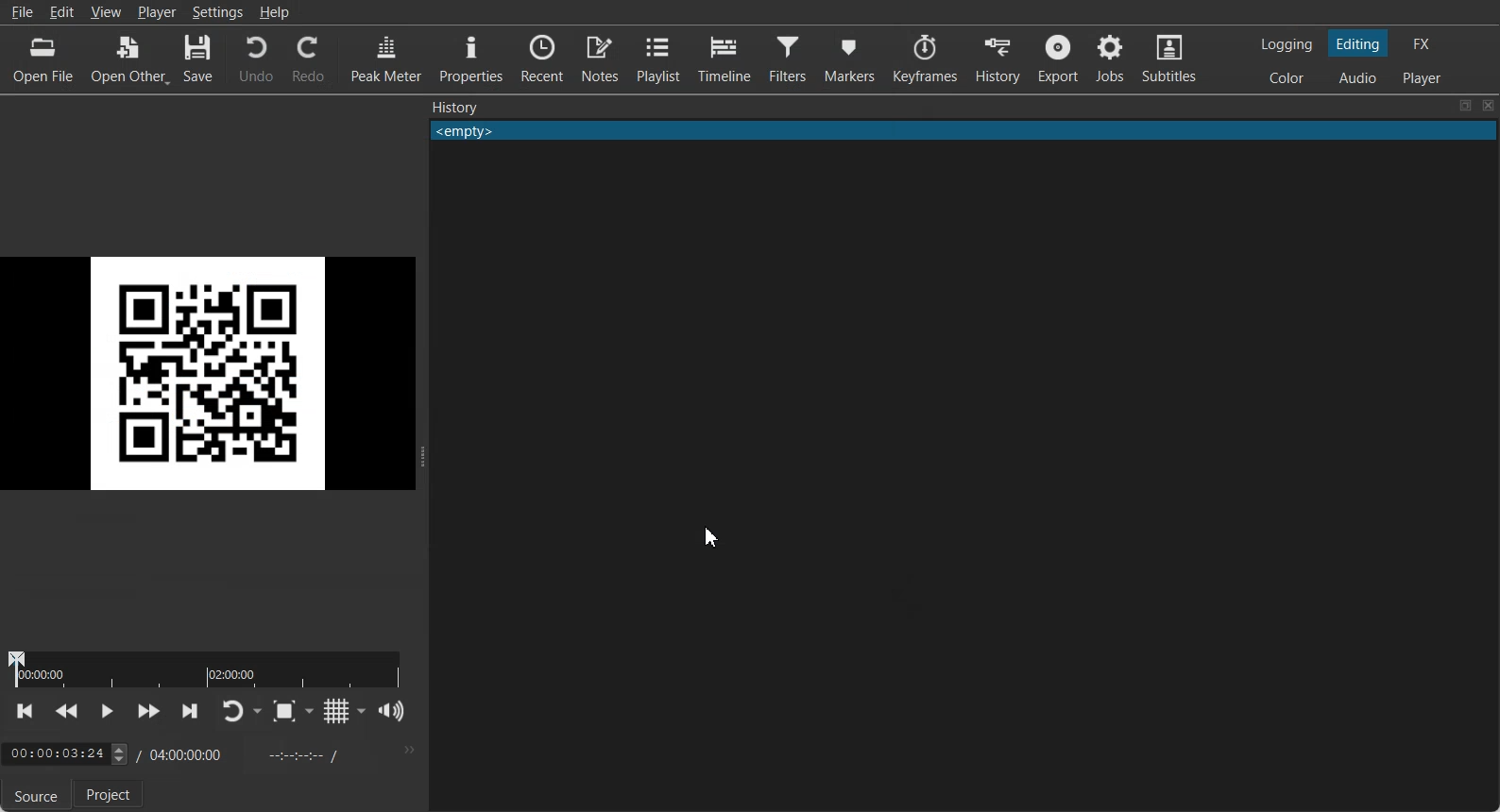  What do you see at coordinates (148, 712) in the screenshot?
I see `Play Quickly Forward` at bounding box center [148, 712].